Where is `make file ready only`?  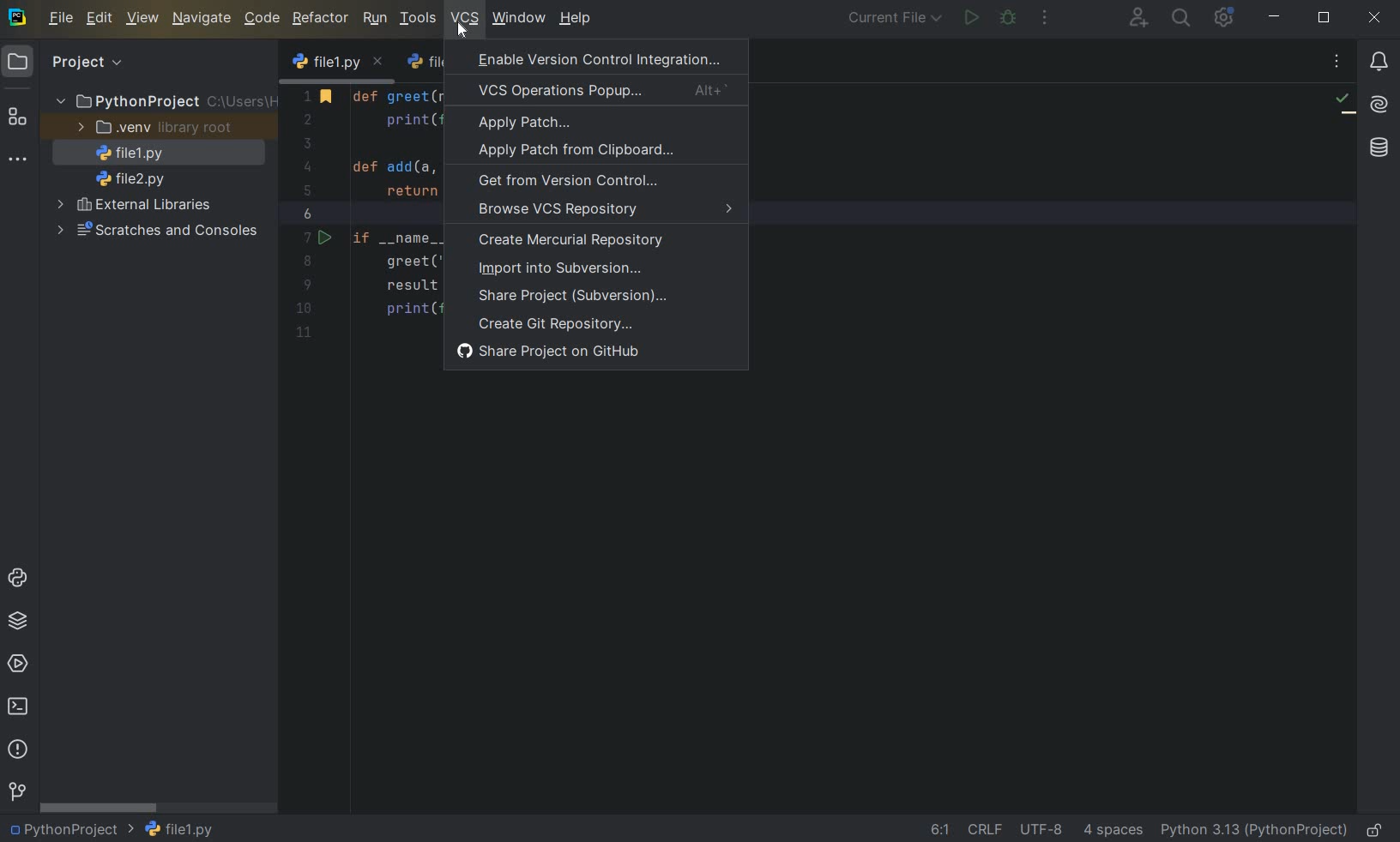
make file ready only is located at coordinates (1372, 829).